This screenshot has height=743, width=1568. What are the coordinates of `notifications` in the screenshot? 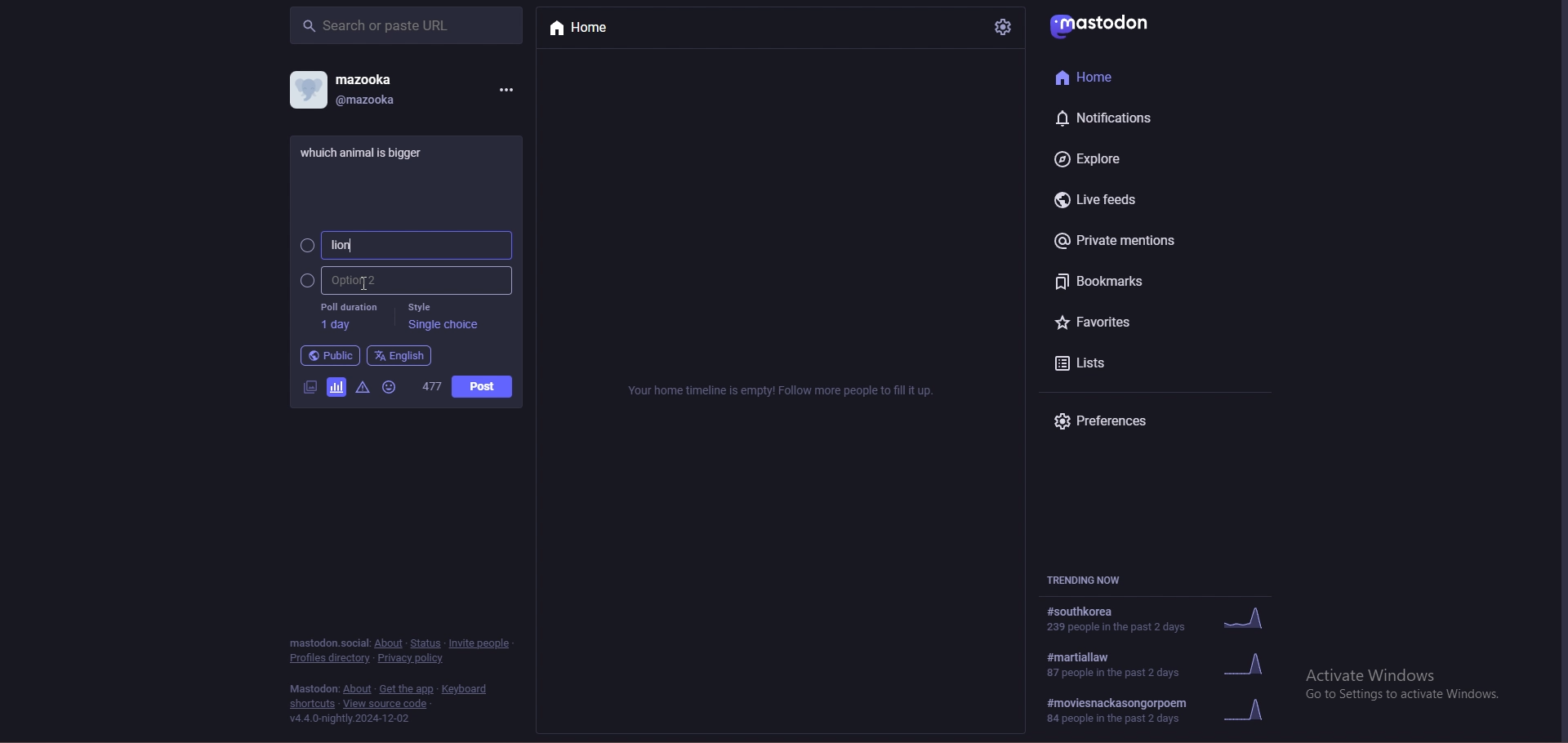 It's located at (1111, 118).